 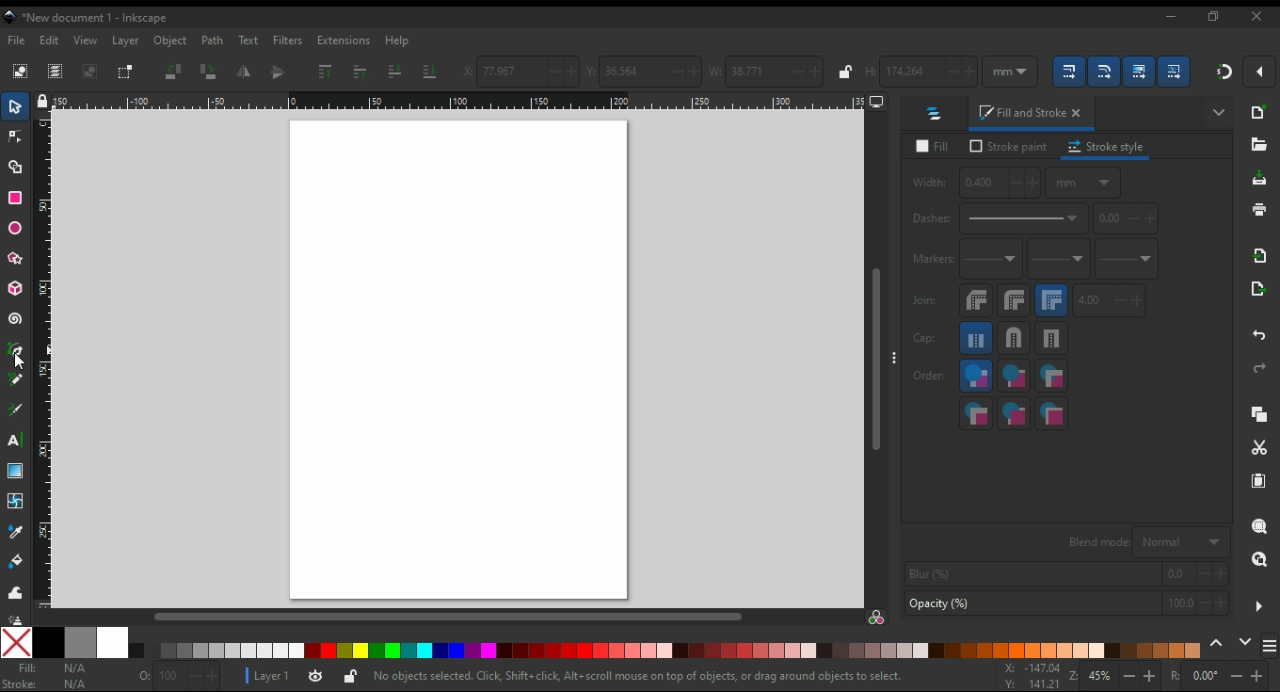 What do you see at coordinates (16, 643) in the screenshot?
I see `none` at bounding box center [16, 643].